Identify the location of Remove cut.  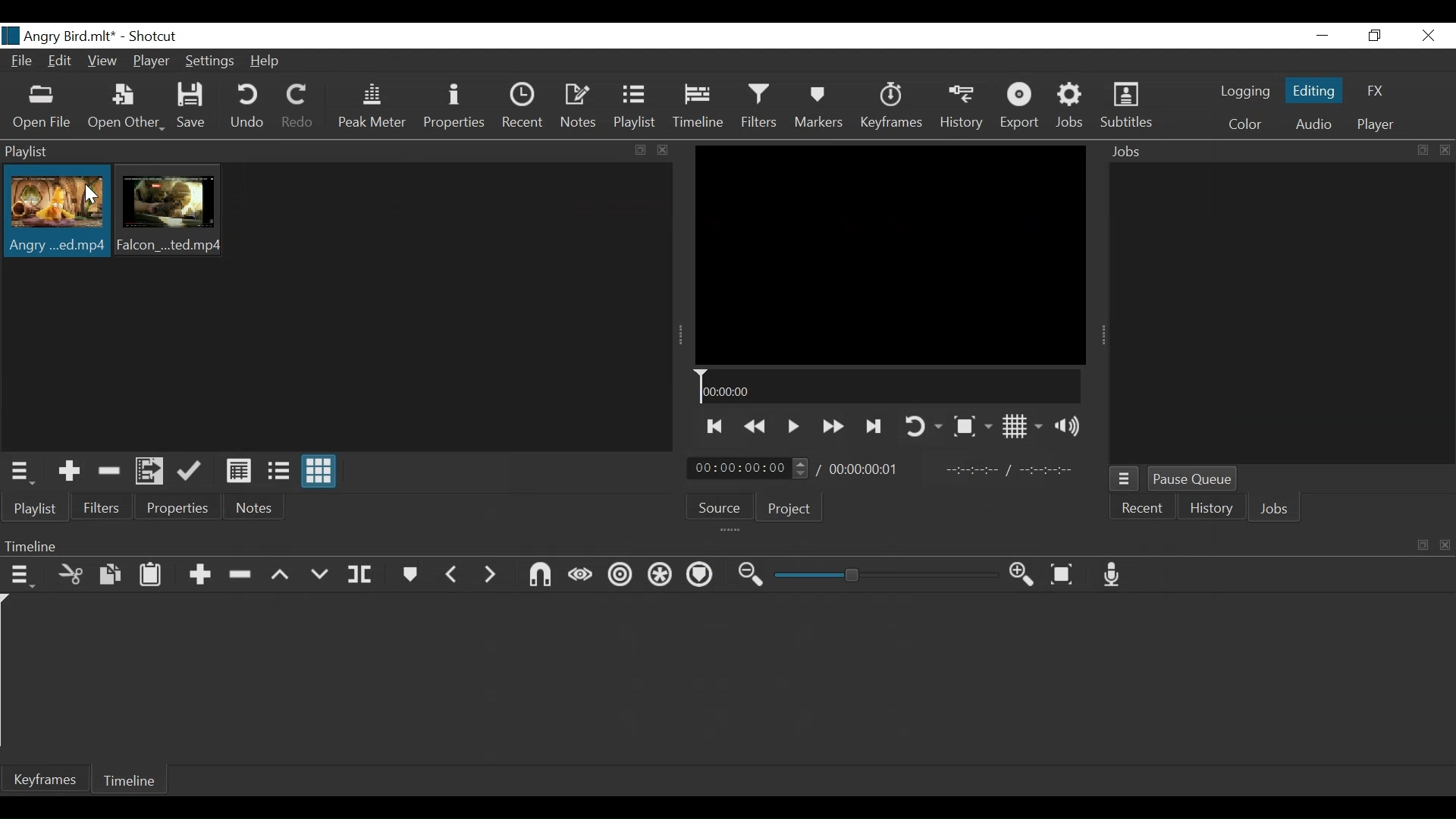
(110, 472).